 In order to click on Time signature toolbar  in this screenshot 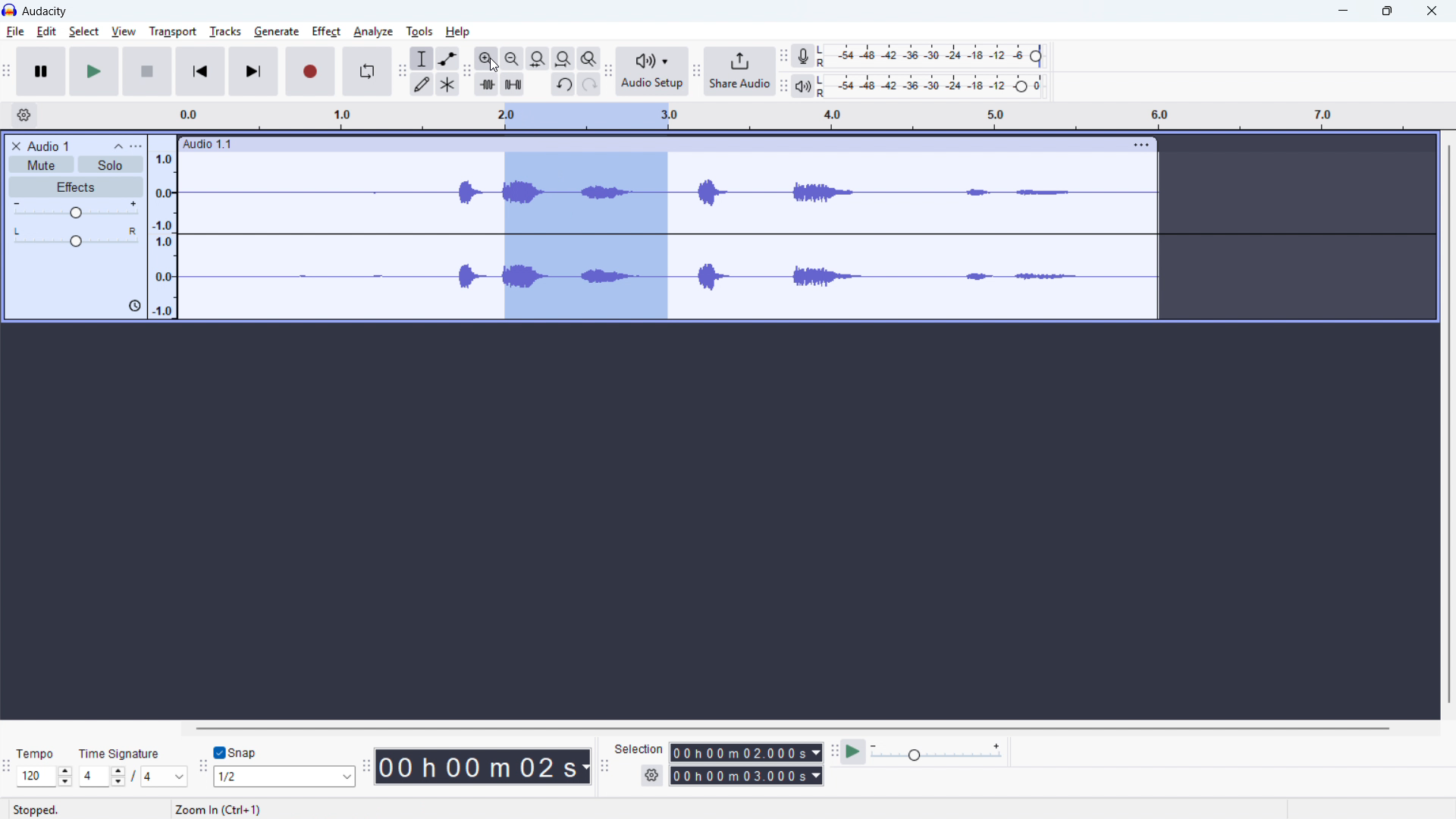, I will do `click(8, 766)`.